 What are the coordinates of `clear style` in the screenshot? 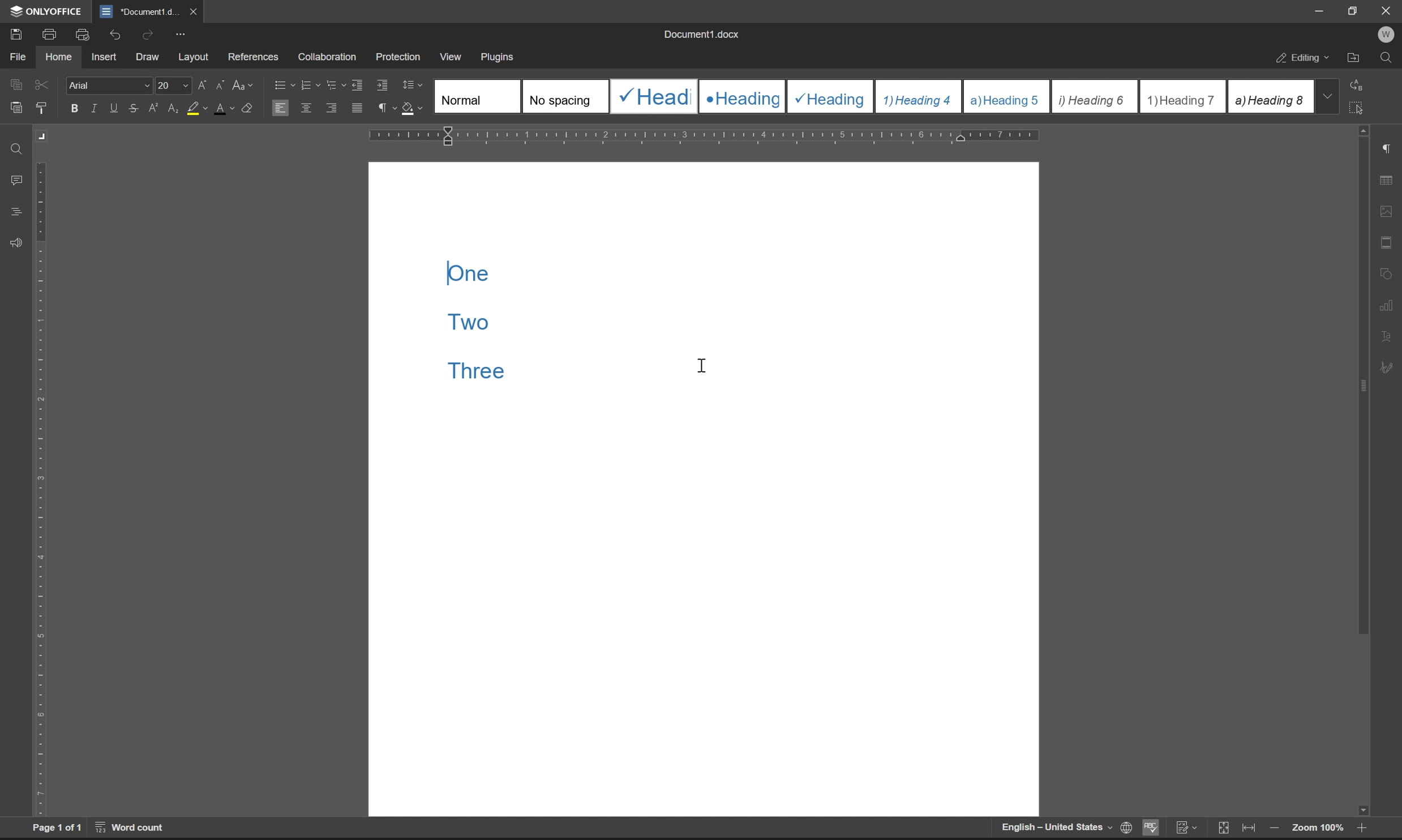 It's located at (248, 106).